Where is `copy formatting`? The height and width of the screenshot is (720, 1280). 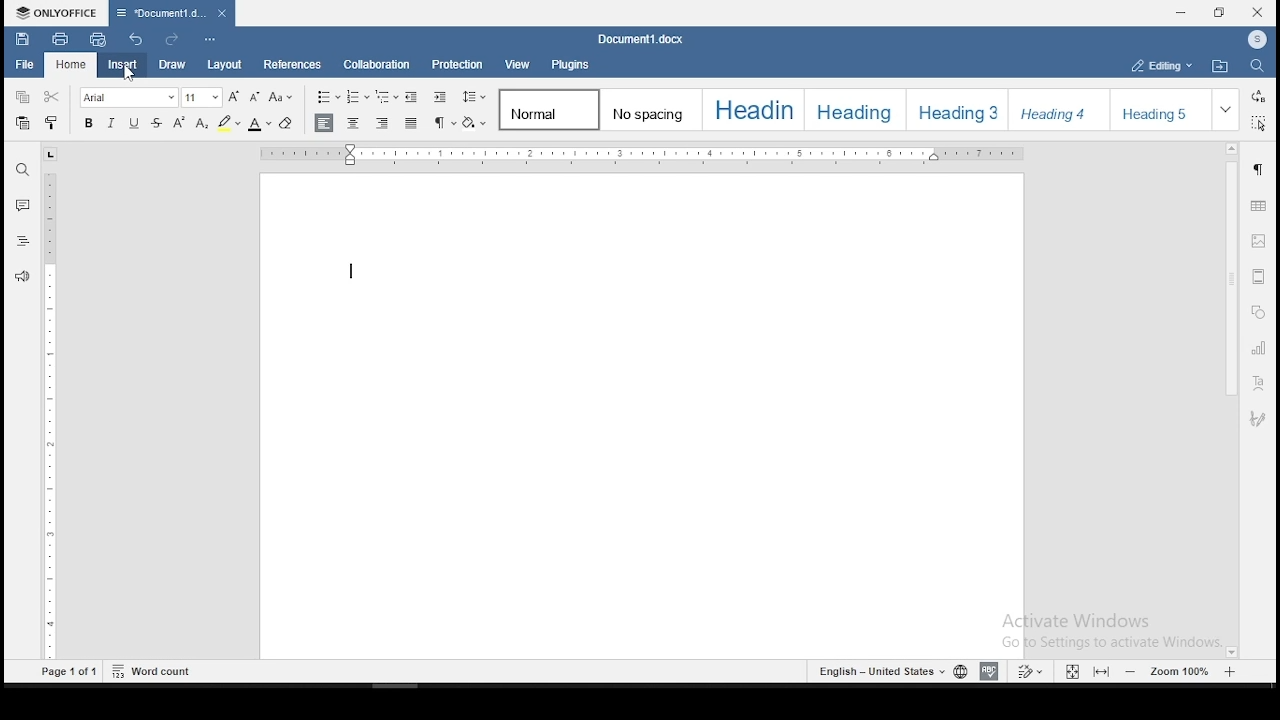
copy formatting is located at coordinates (54, 122).